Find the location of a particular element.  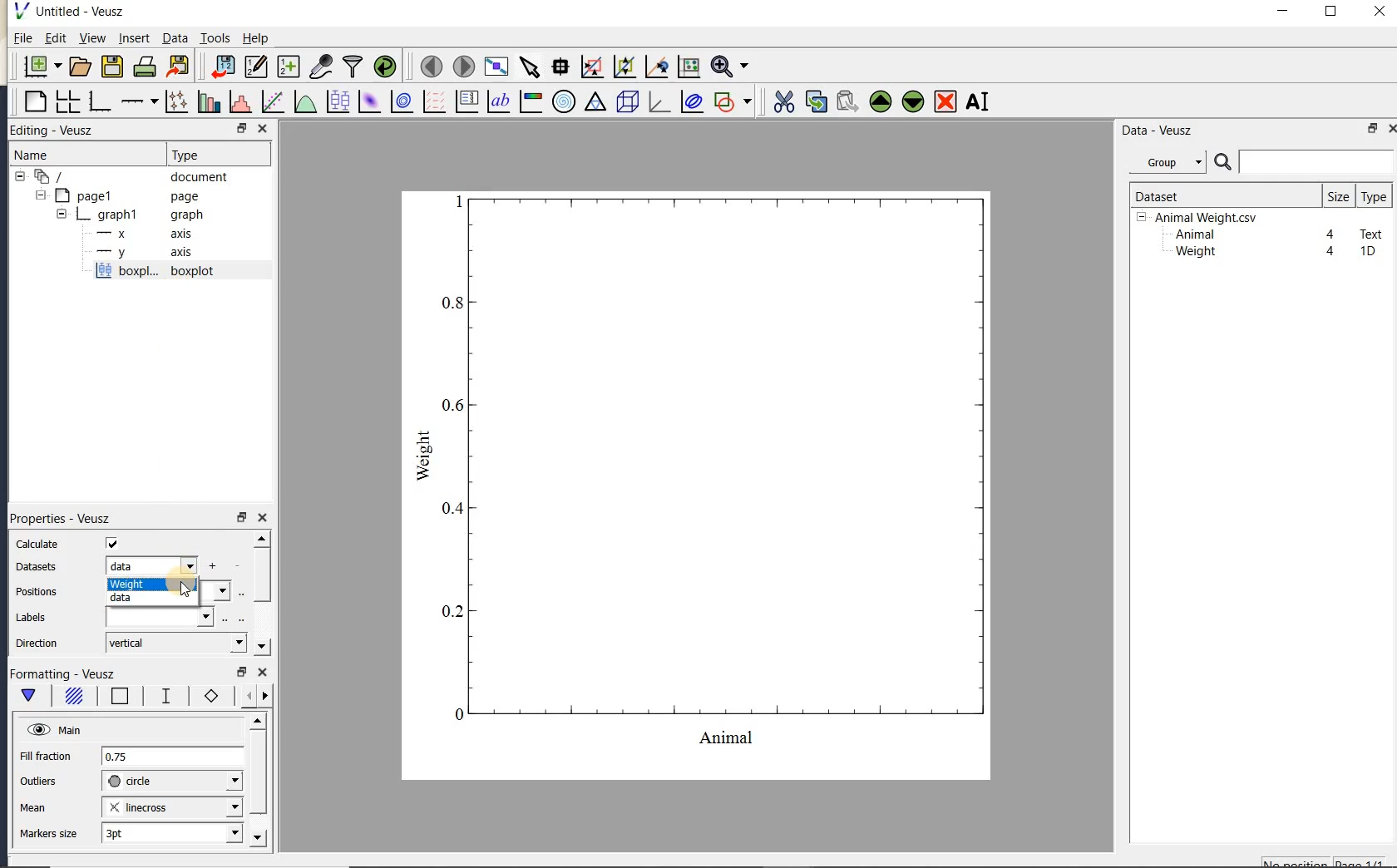

Properties - Veusz is located at coordinates (59, 517).